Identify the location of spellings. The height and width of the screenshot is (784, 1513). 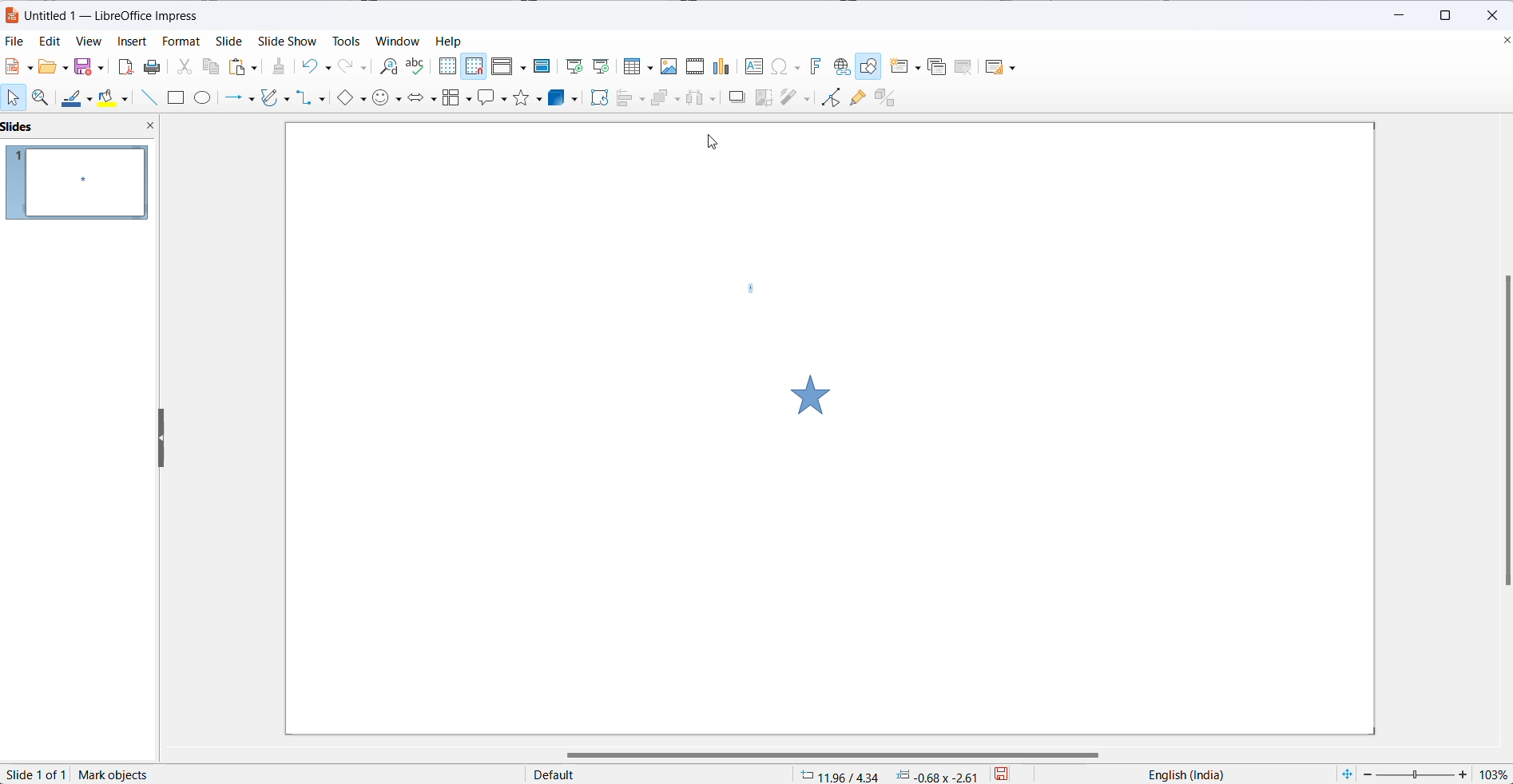
(417, 66).